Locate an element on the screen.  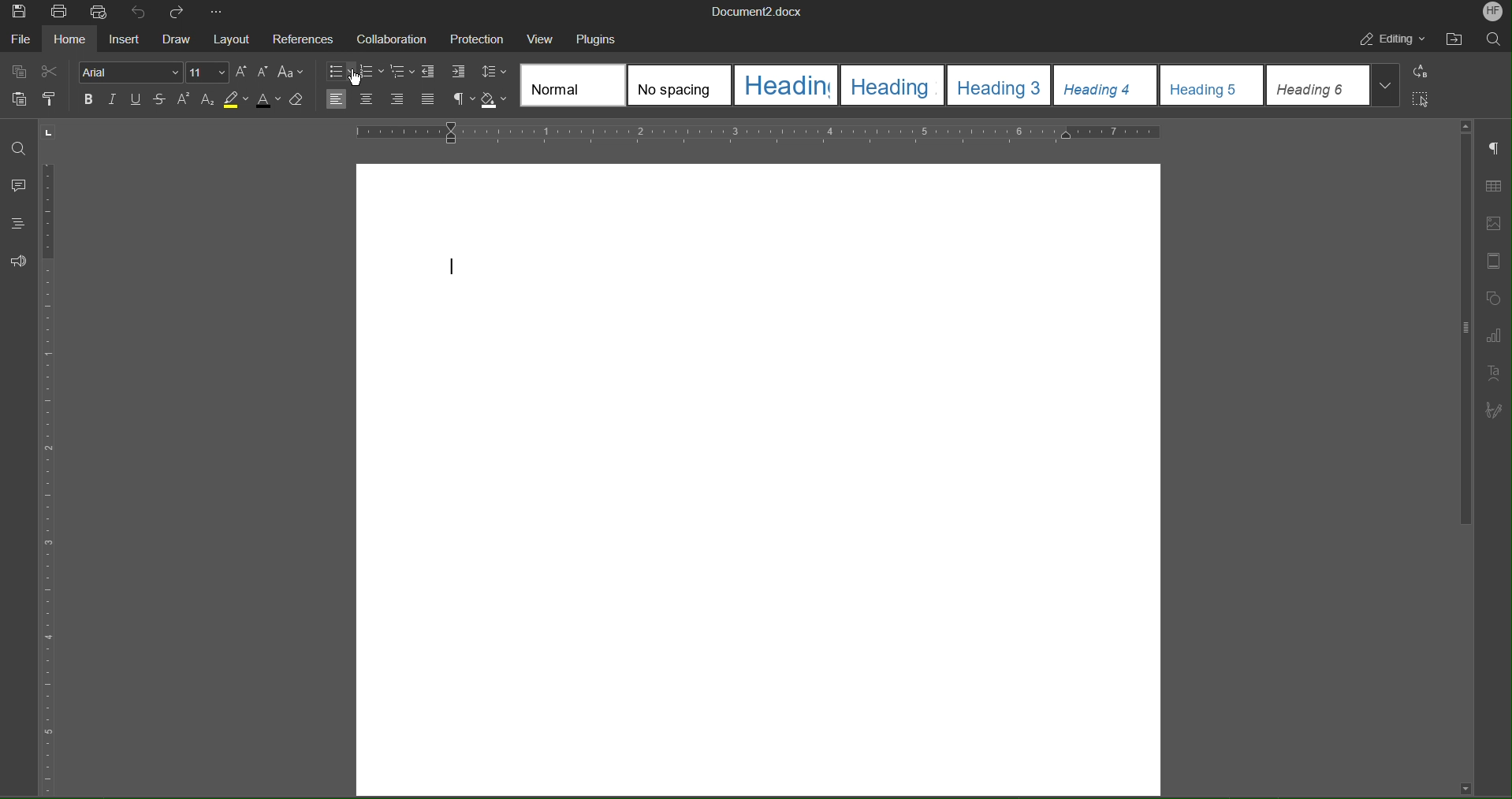
Save is located at coordinates (19, 13).